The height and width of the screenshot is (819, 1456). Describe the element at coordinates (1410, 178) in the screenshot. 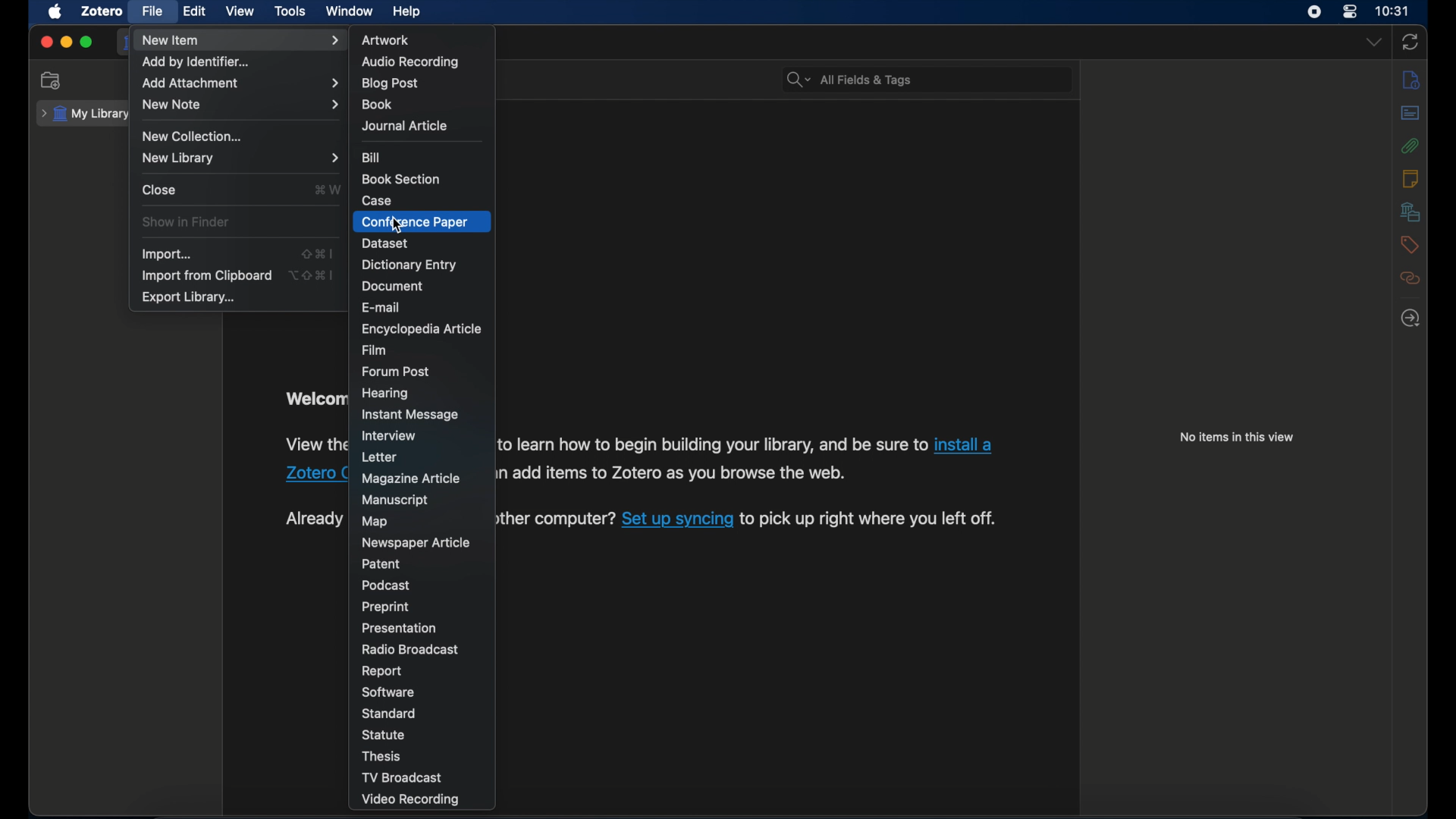

I see `notes` at that location.